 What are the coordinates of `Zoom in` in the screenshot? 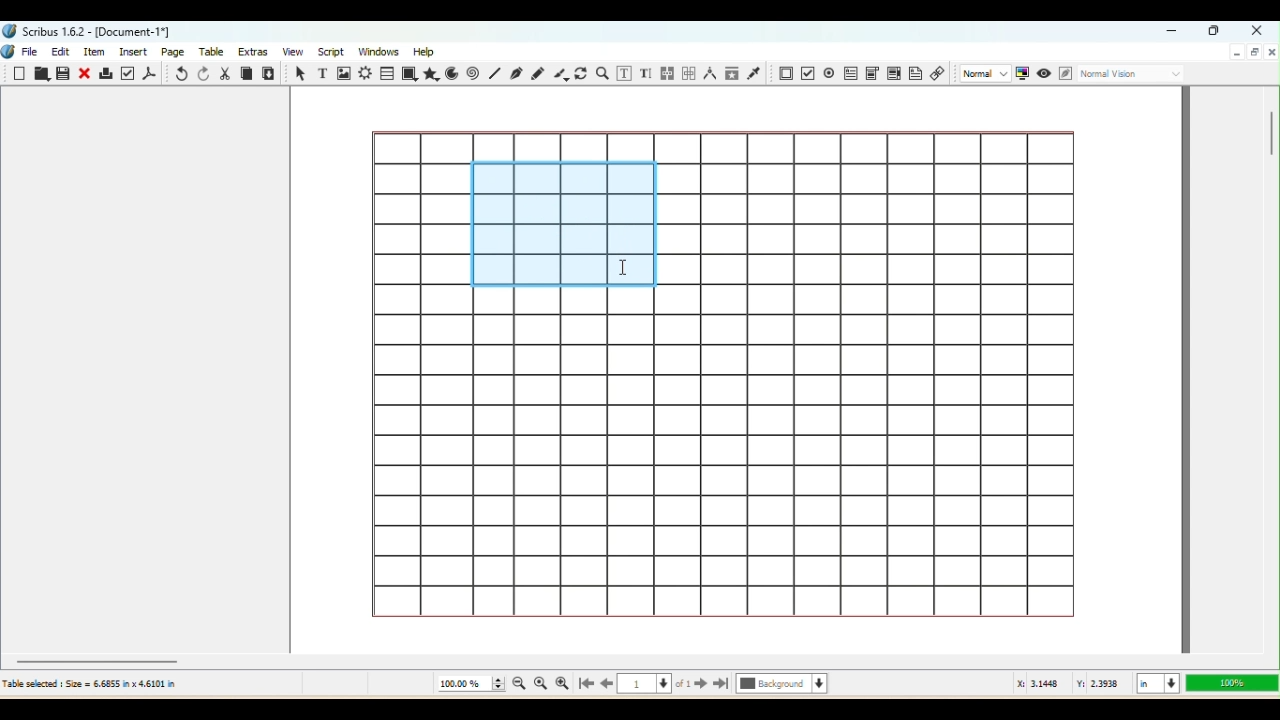 It's located at (562, 684).